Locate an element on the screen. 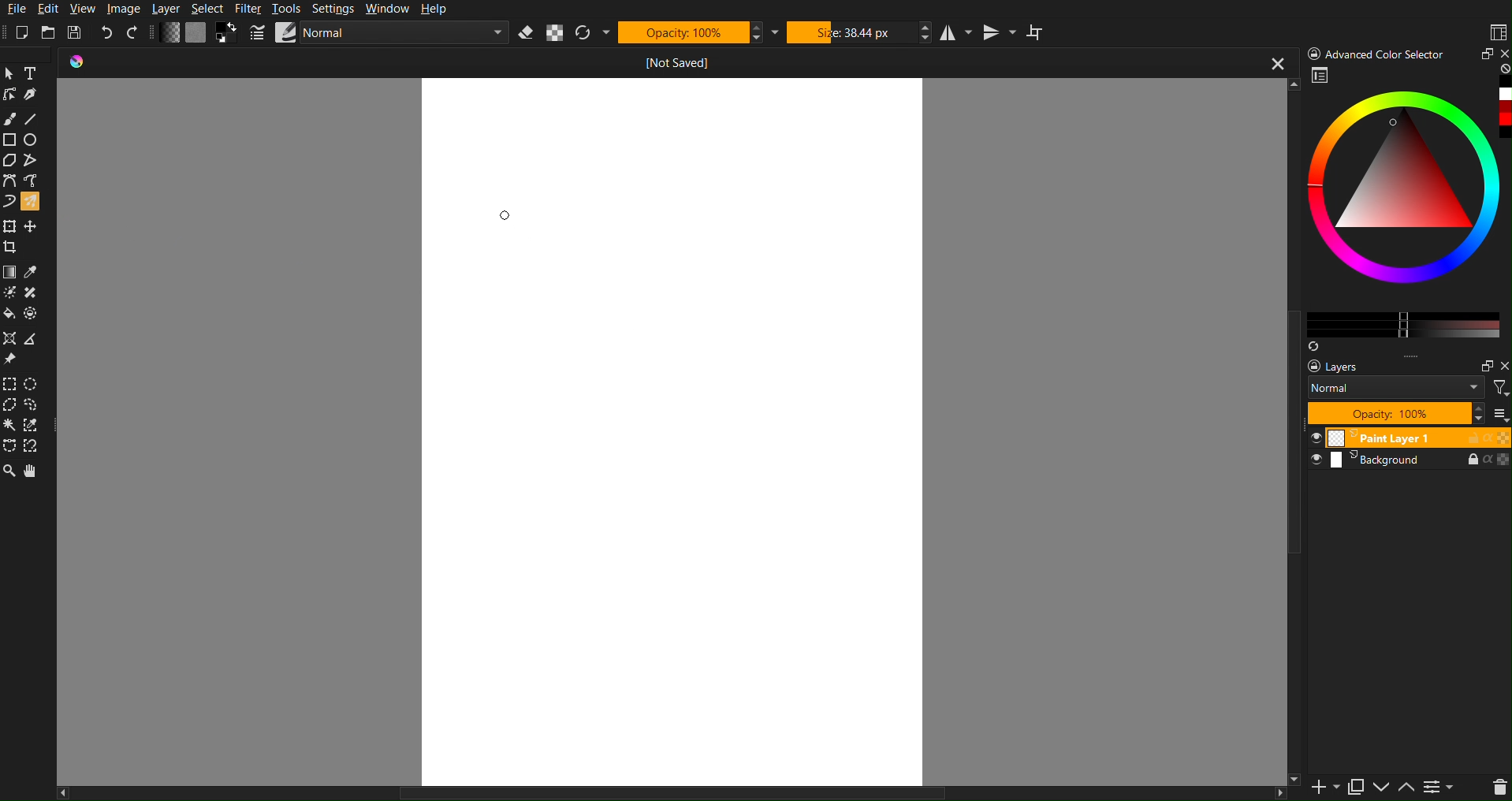  Line Options is located at coordinates (258, 33).